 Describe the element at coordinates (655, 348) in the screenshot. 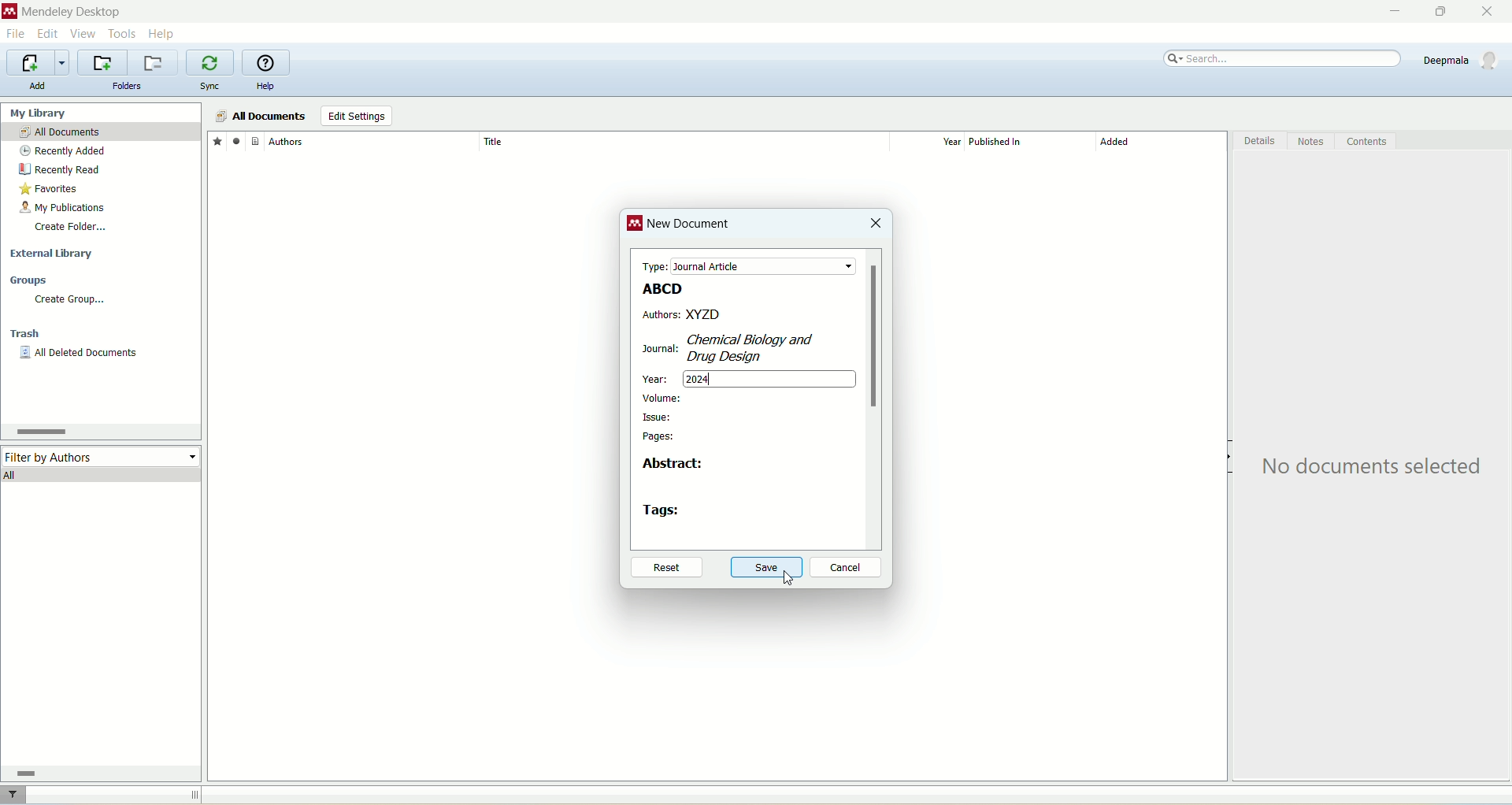

I see `journal` at that location.